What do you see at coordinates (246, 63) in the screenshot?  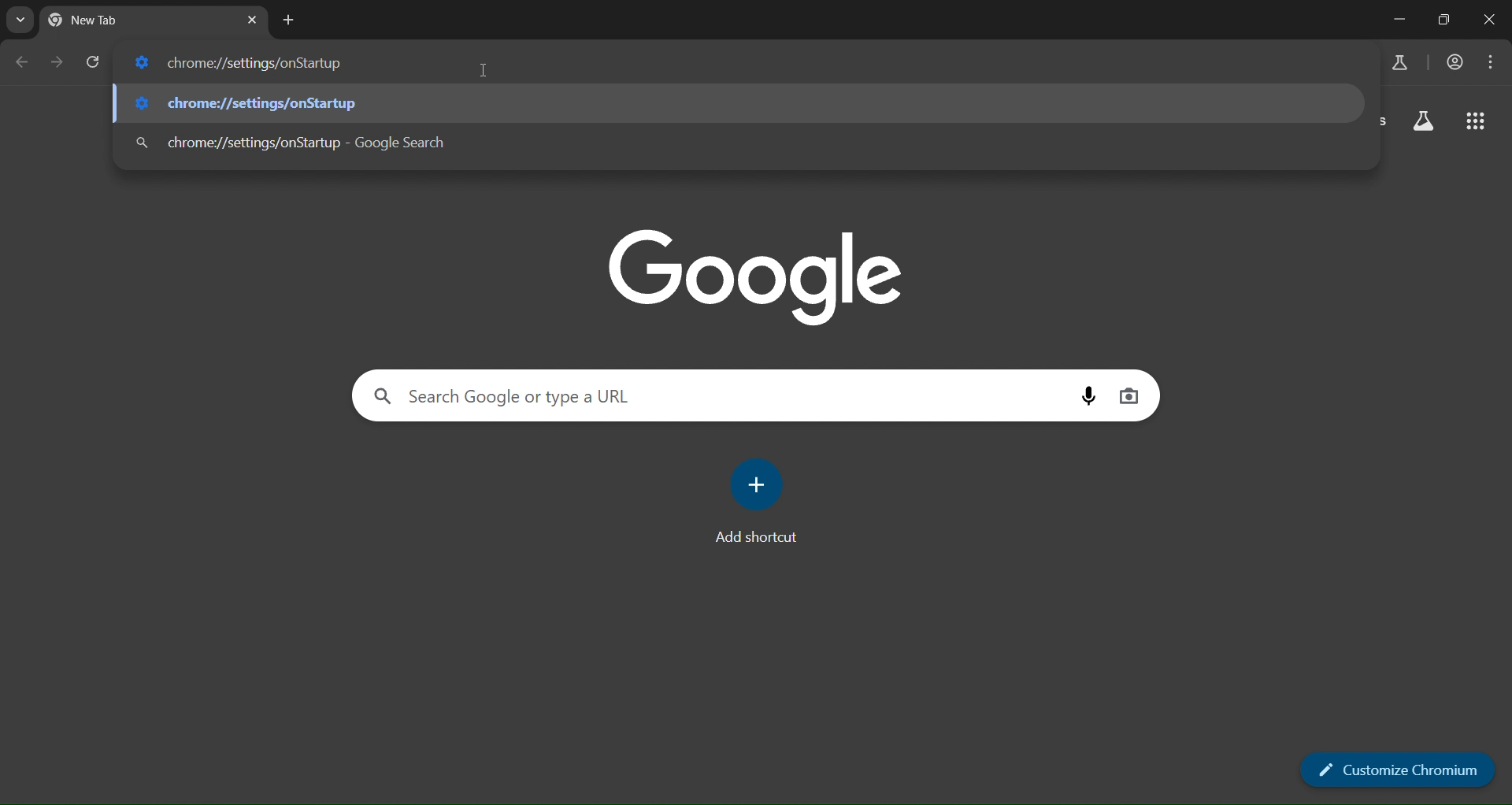 I see `chrome://settings/onStartup` at bounding box center [246, 63].